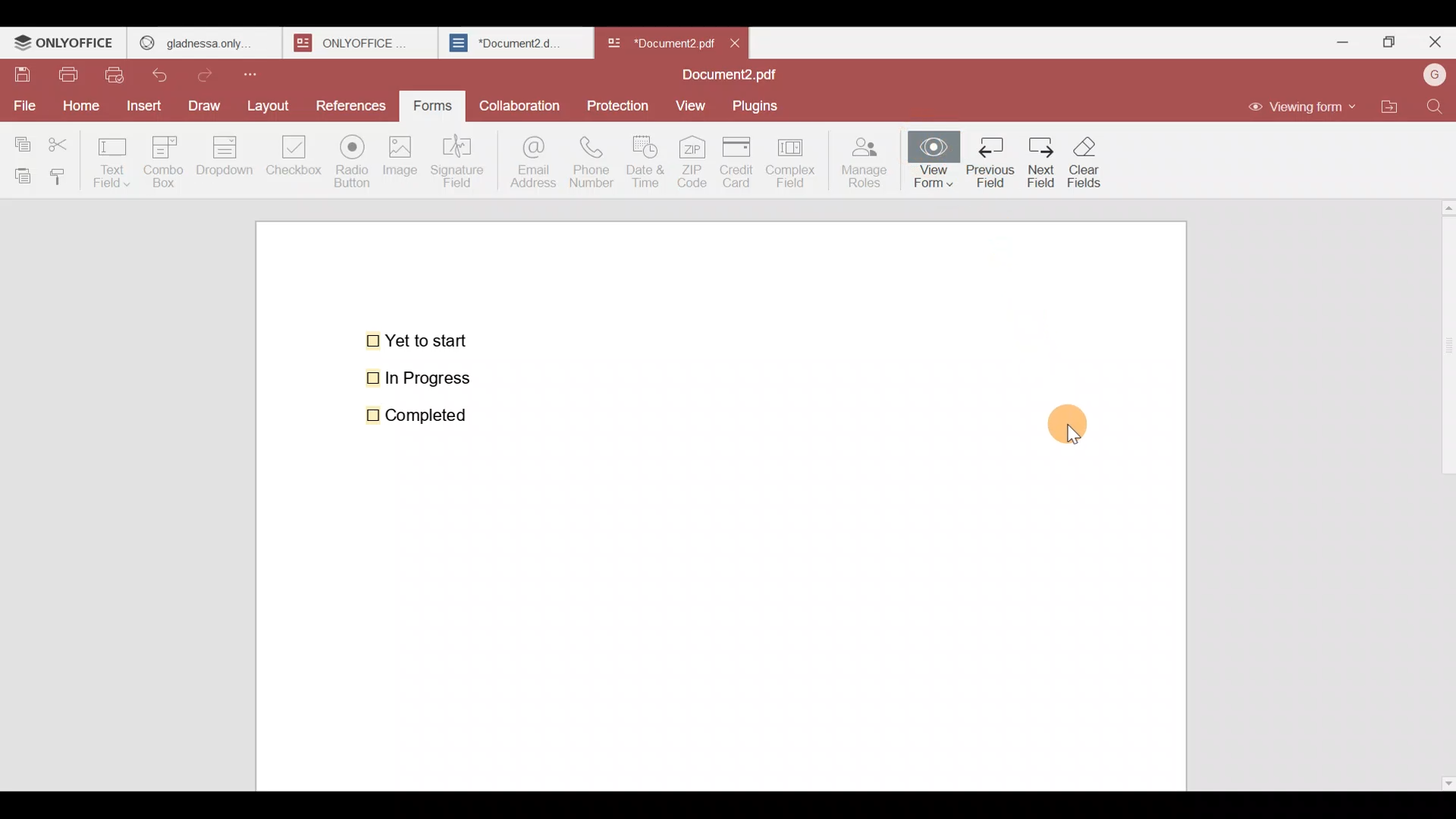 The height and width of the screenshot is (819, 1456). Describe the element at coordinates (725, 77) in the screenshot. I see `Document2.pdf` at that location.